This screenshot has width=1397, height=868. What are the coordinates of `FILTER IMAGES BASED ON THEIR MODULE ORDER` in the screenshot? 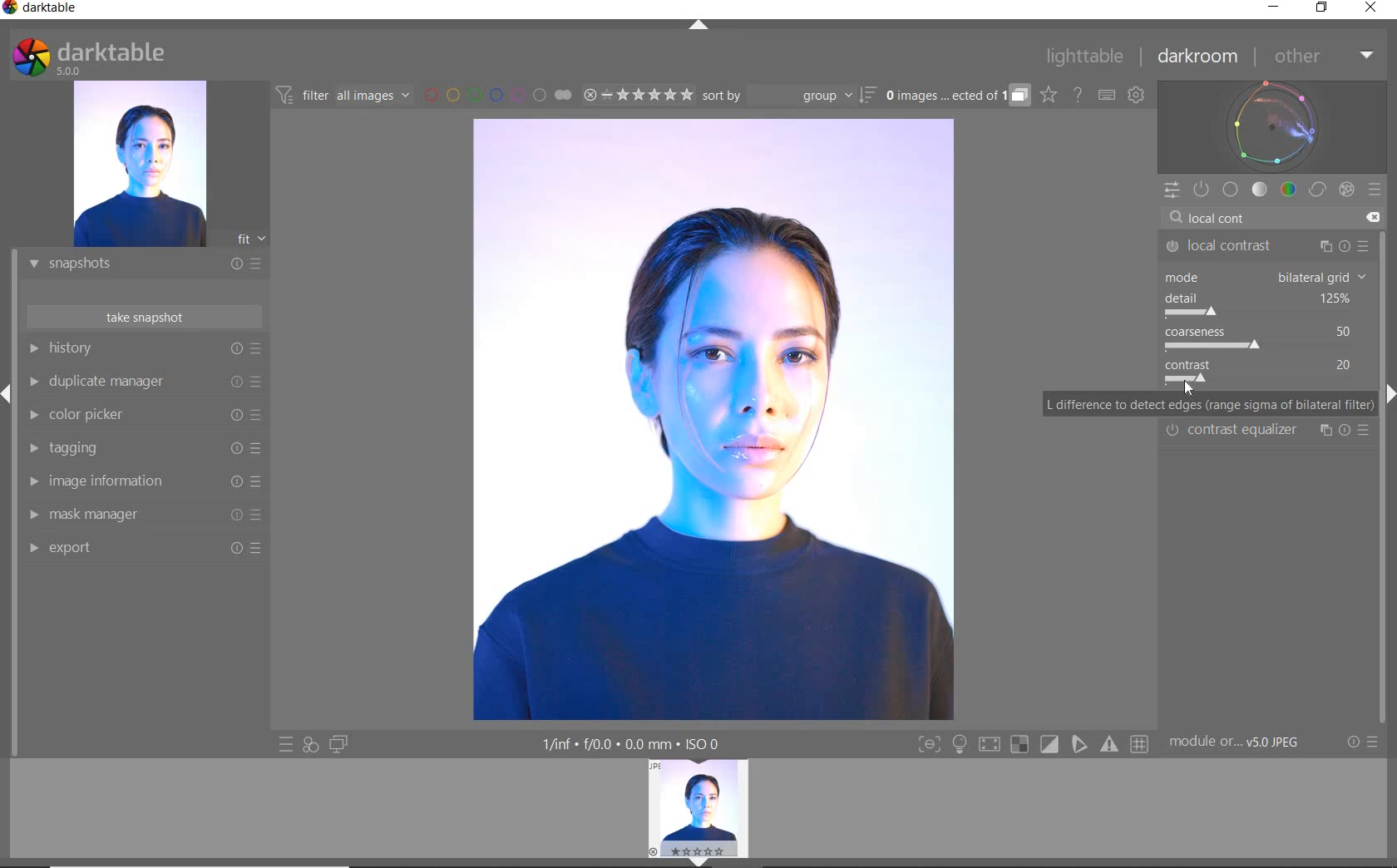 It's located at (343, 98).